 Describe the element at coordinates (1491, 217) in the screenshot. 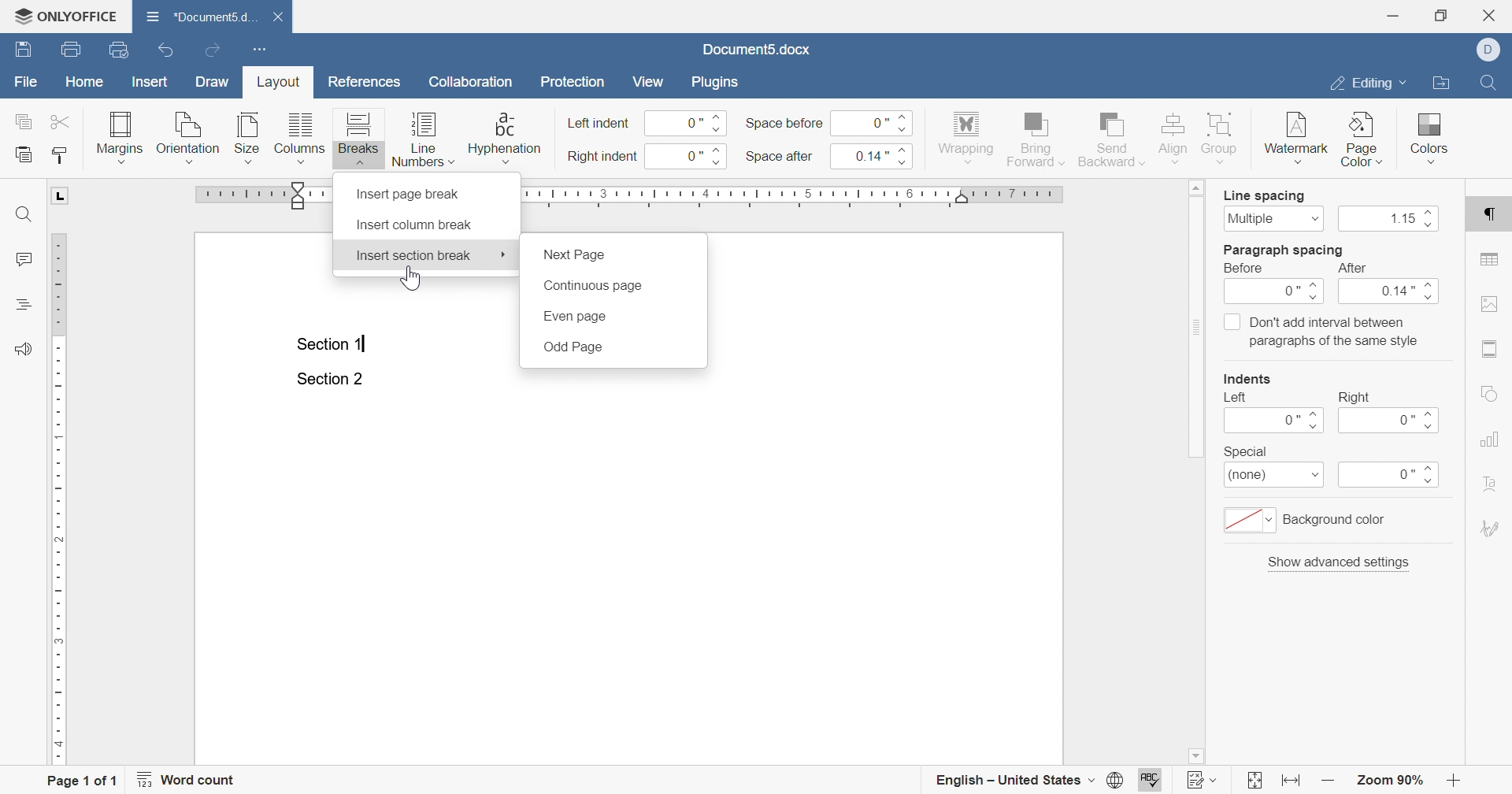

I see `paragraph settings` at that location.